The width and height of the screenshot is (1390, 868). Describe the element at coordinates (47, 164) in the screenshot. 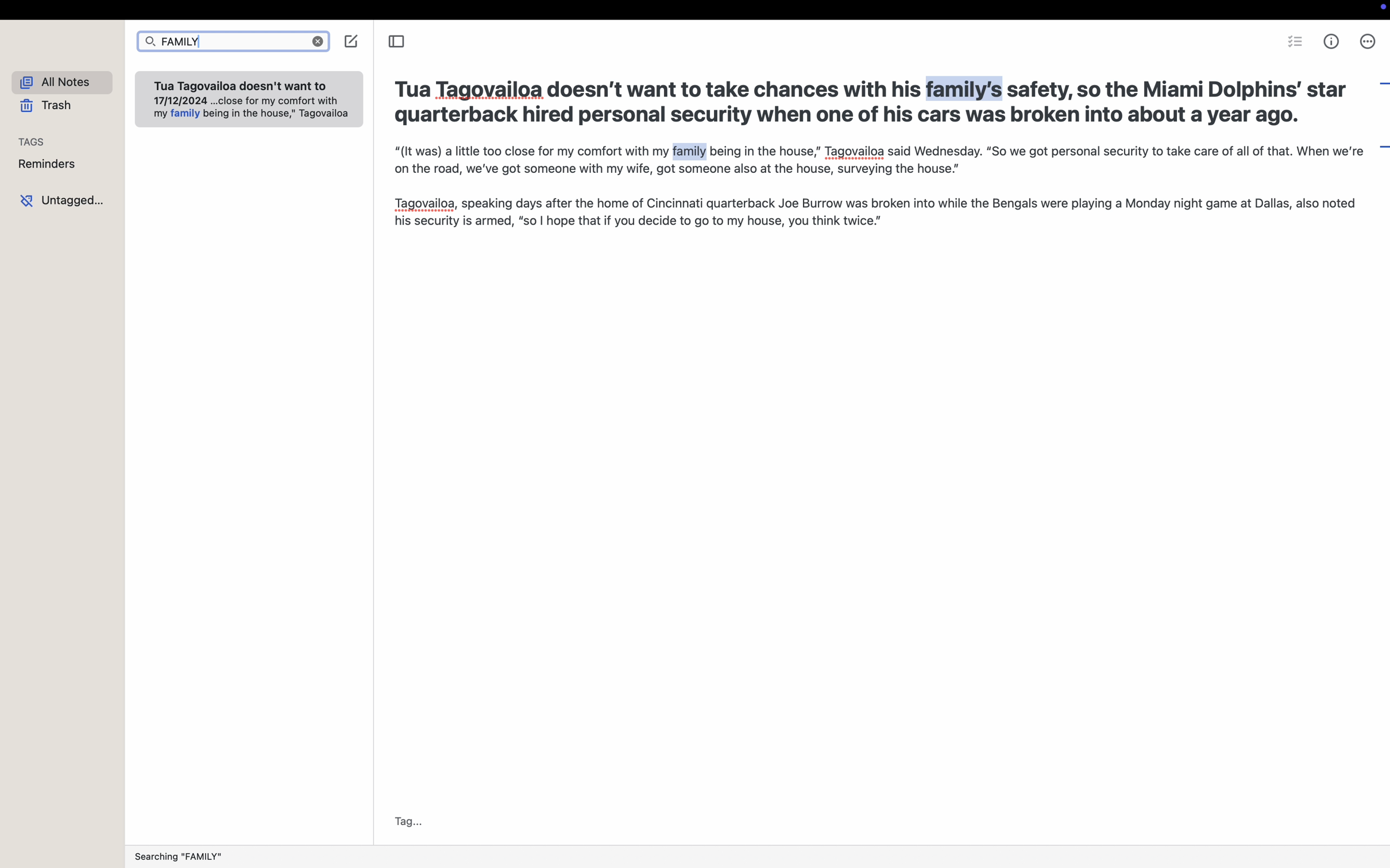

I see `reminders` at that location.